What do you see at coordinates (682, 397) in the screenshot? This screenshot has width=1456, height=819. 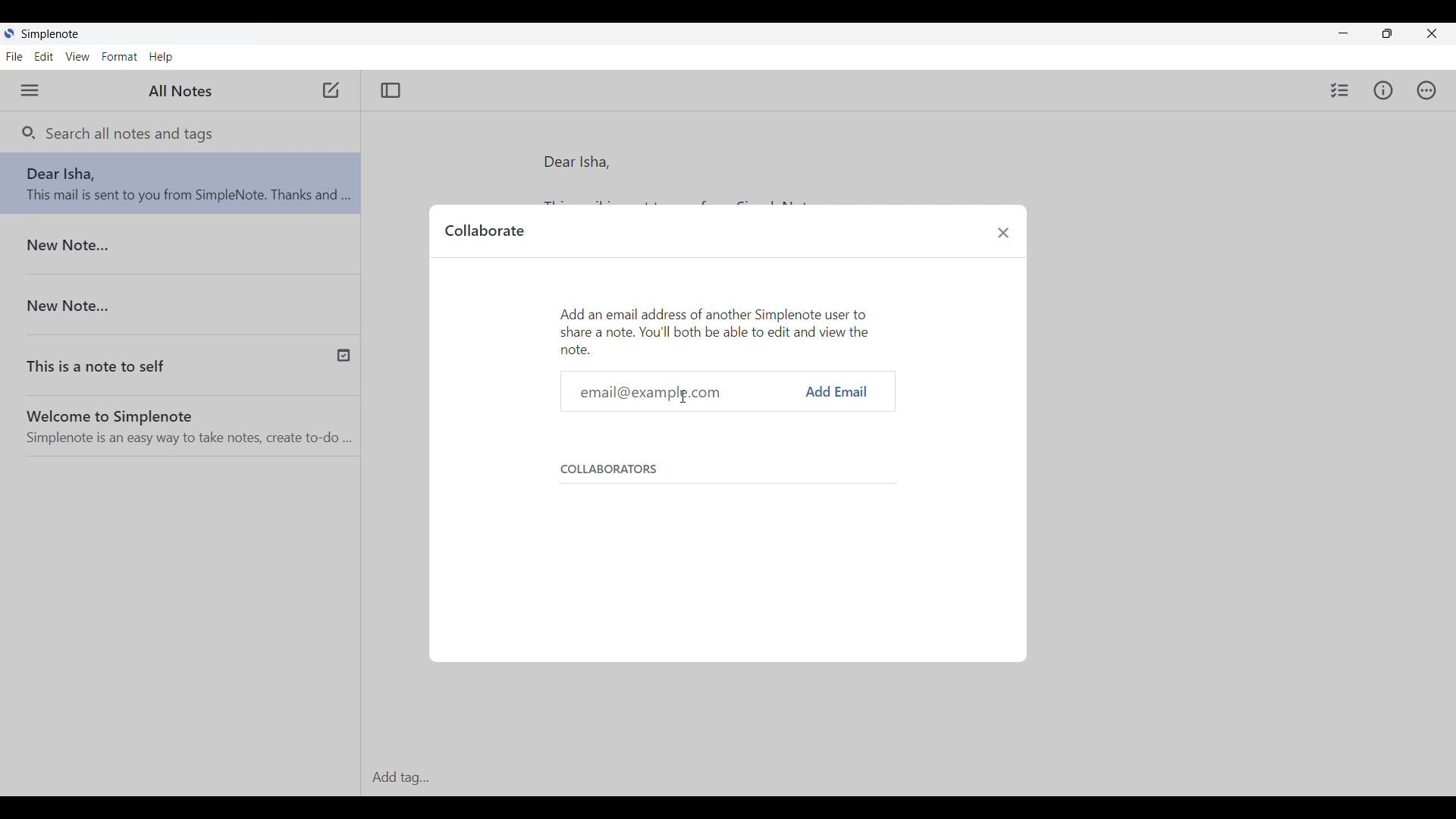 I see `Text Cursor` at bounding box center [682, 397].